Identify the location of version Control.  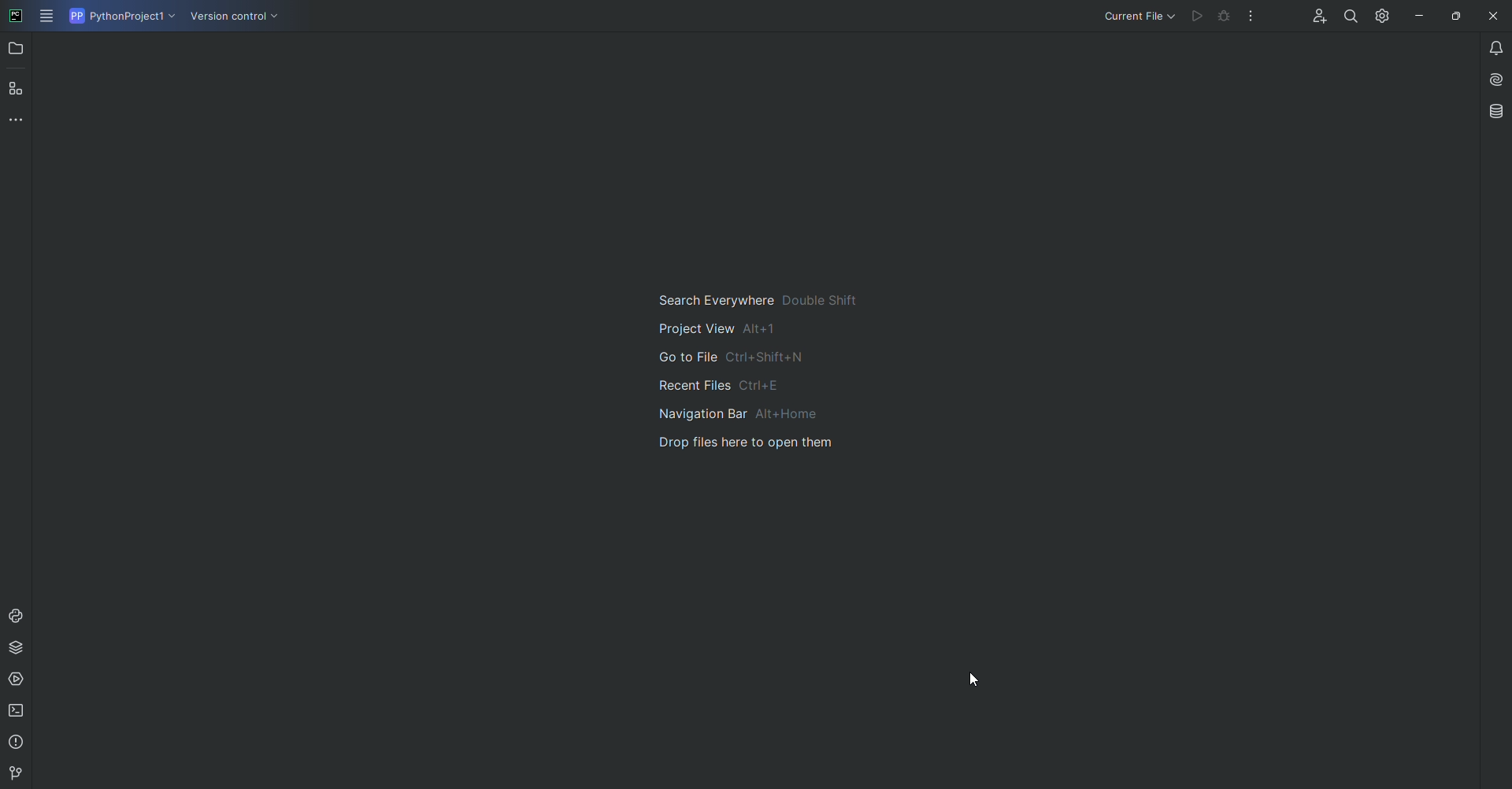
(13, 774).